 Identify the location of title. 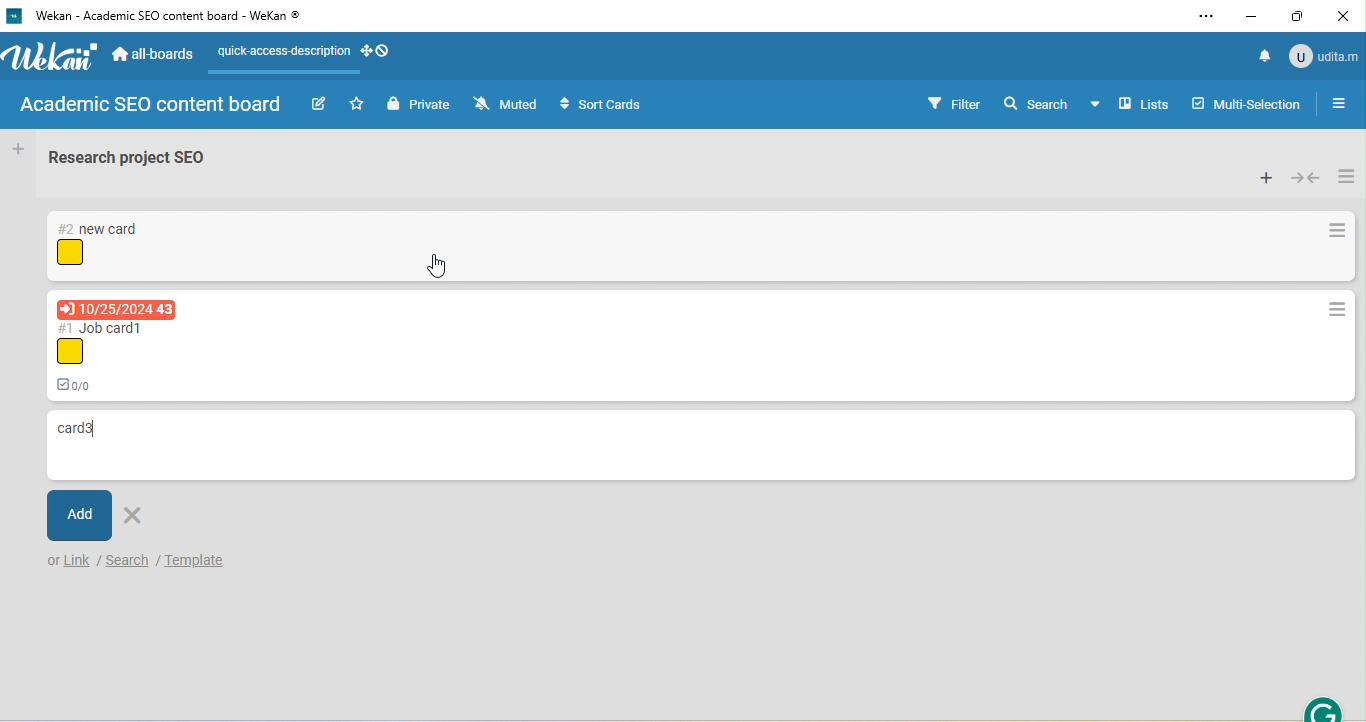
(161, 17).